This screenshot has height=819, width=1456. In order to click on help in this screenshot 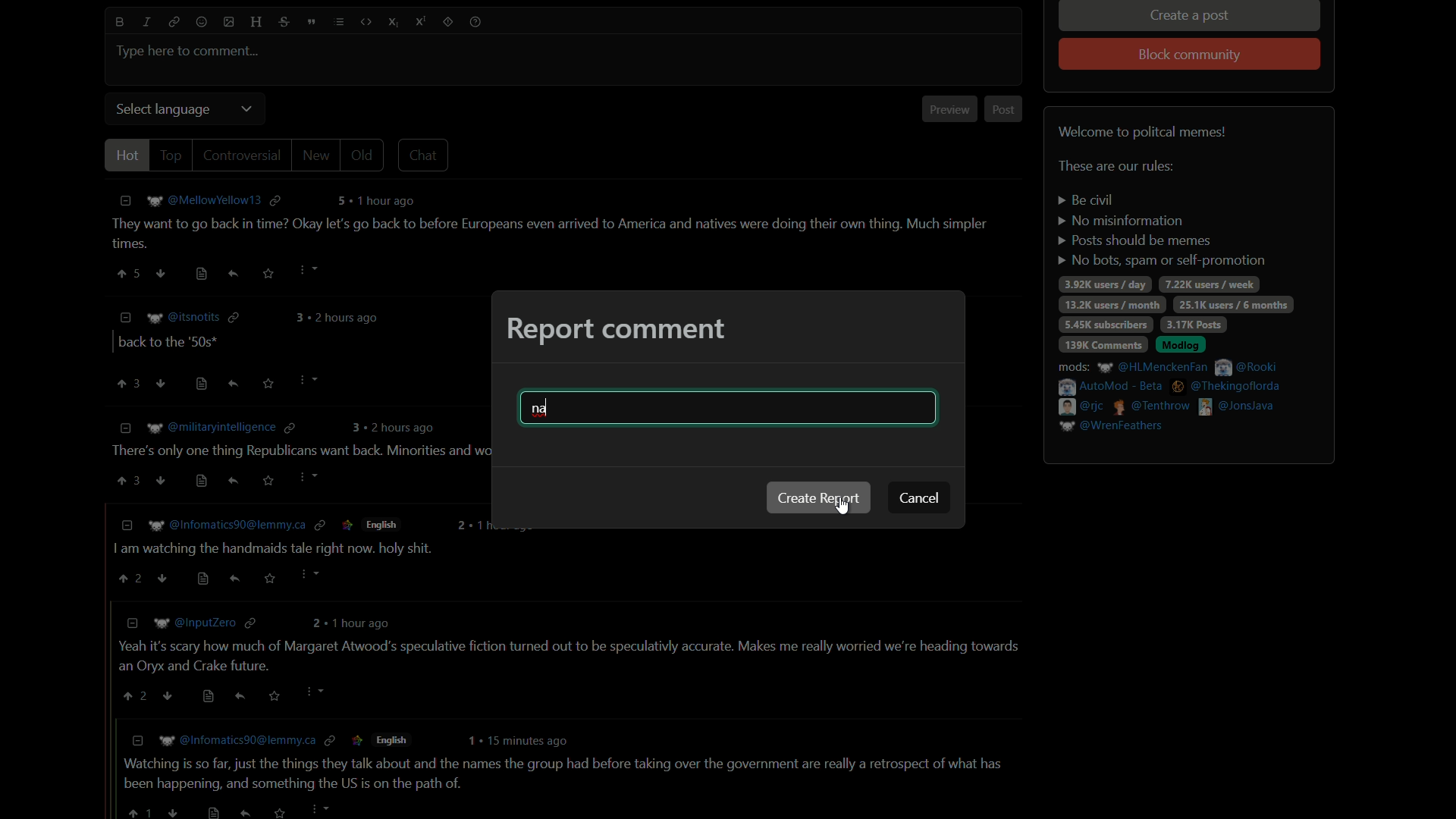, I will do `click(476, 22)`.